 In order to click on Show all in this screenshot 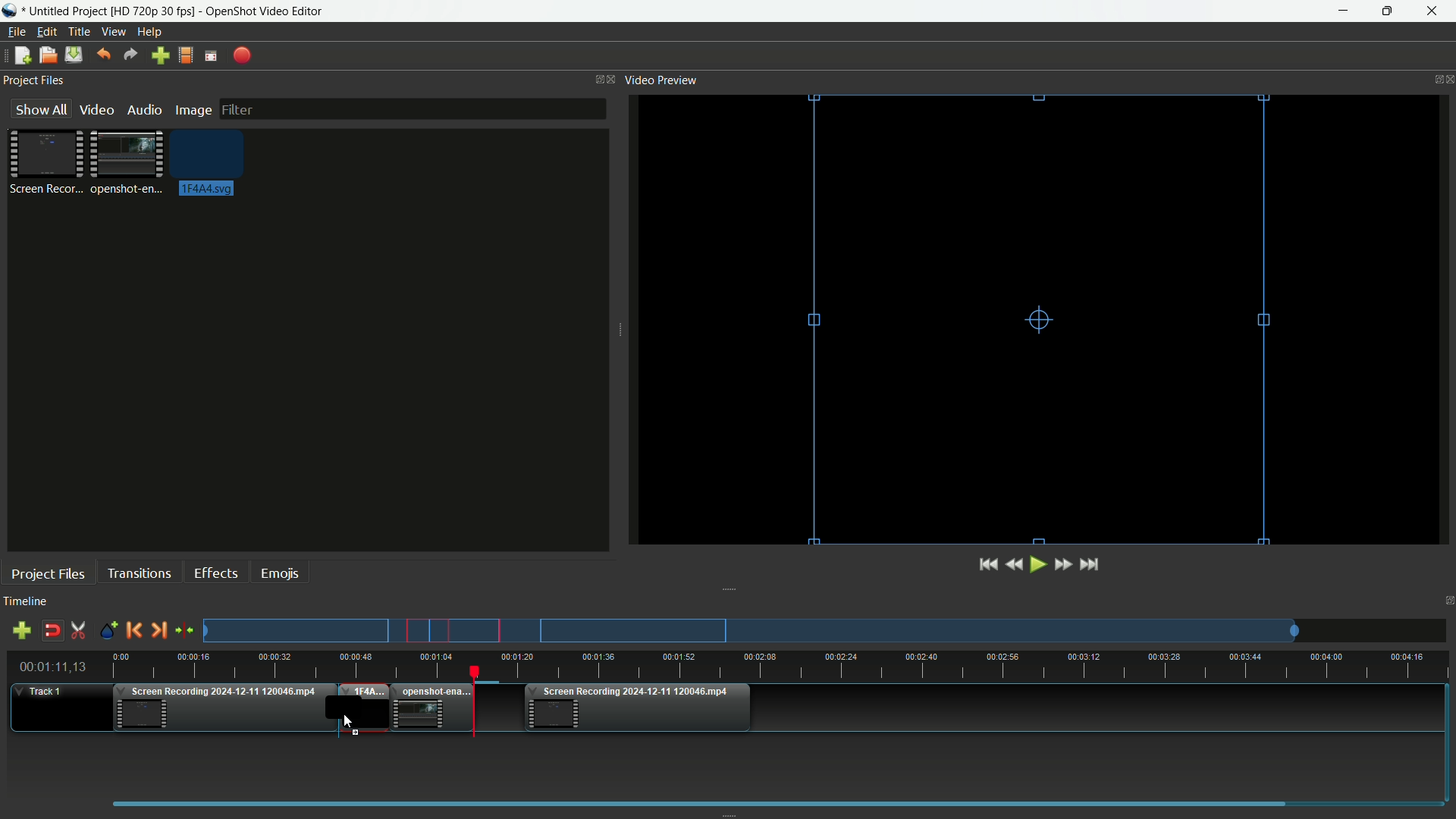, I will do `click(36, 109)`.